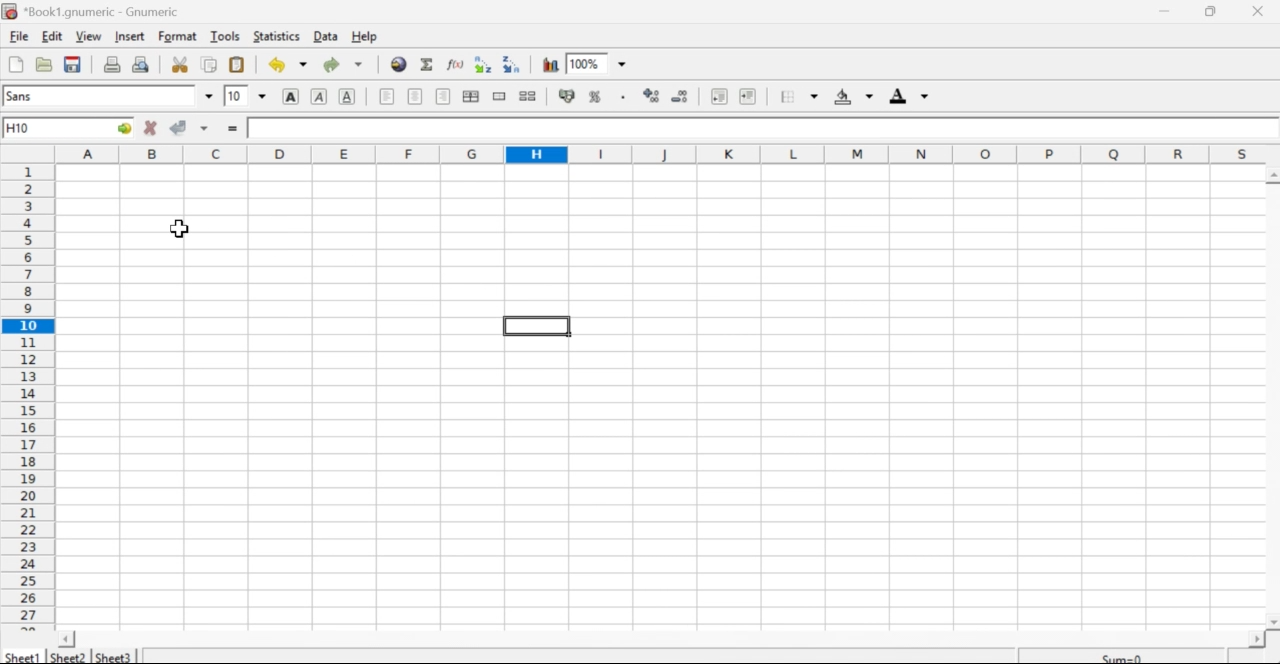 Image resolution: width=1280 pixels, height=664 pixels. I want to click on Underline, so click(349, 96).